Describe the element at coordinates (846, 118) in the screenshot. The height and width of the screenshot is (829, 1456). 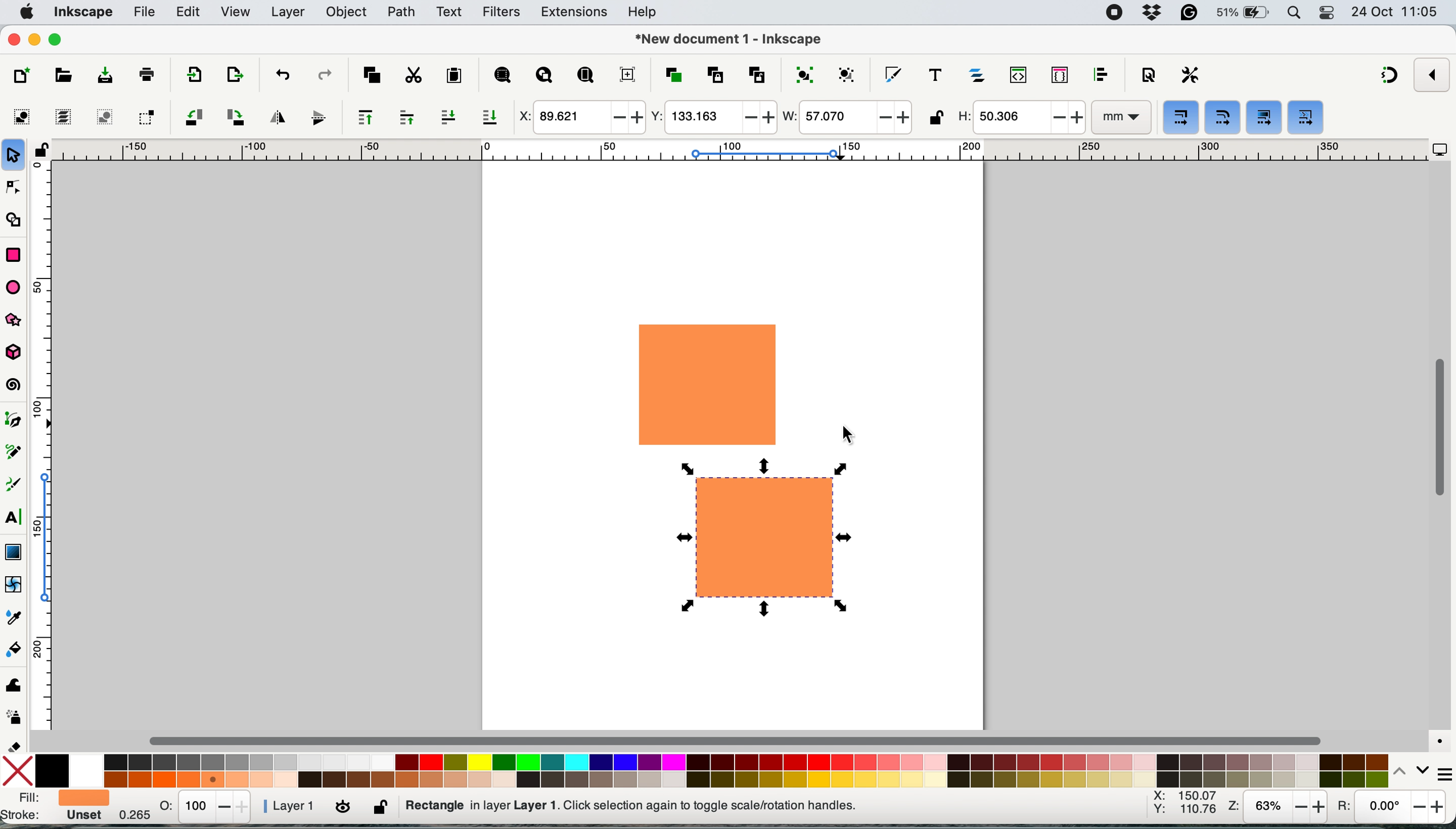
I see `width` at that location.